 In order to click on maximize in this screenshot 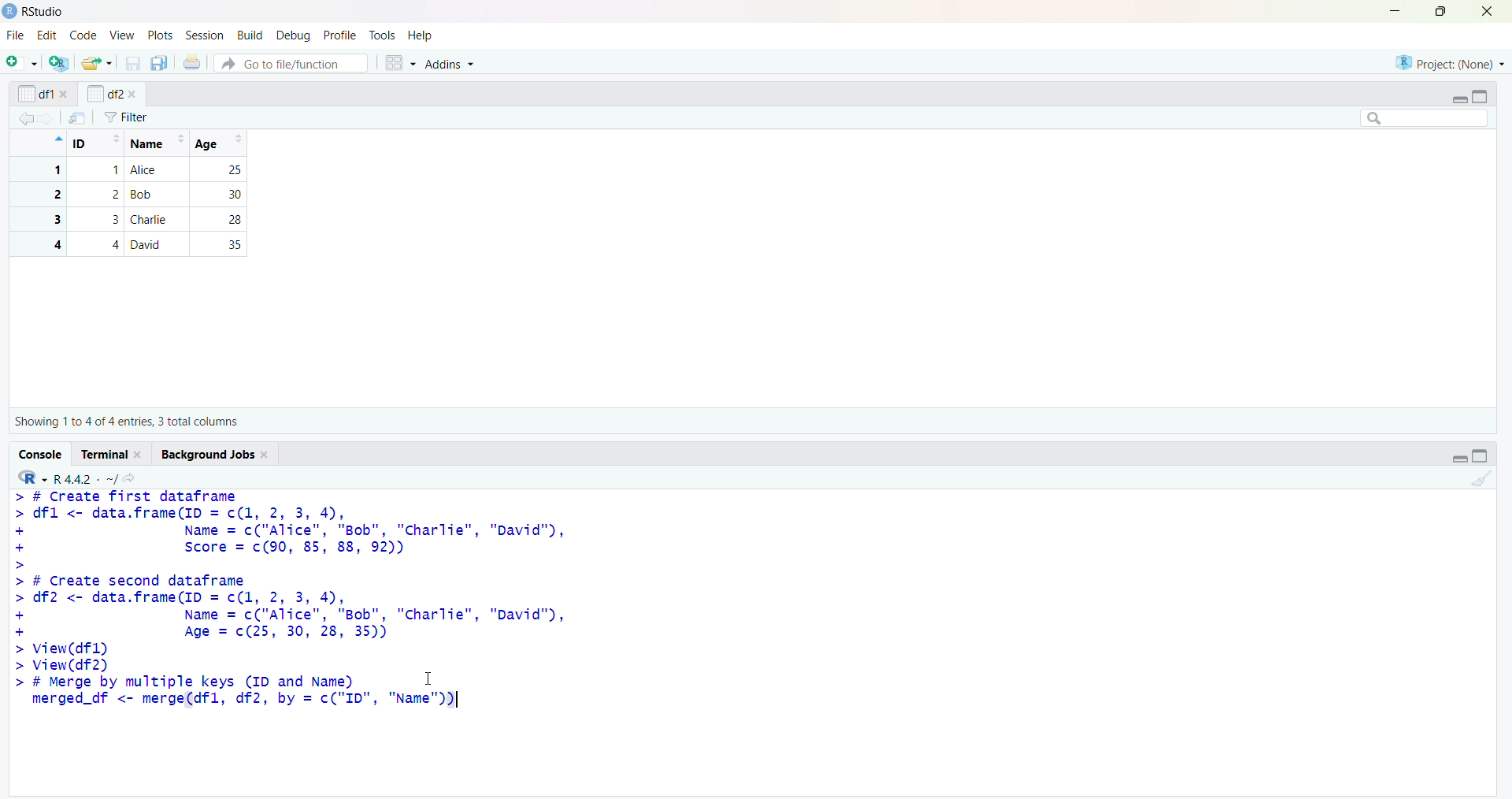, I will do `click(1443, 11)`.